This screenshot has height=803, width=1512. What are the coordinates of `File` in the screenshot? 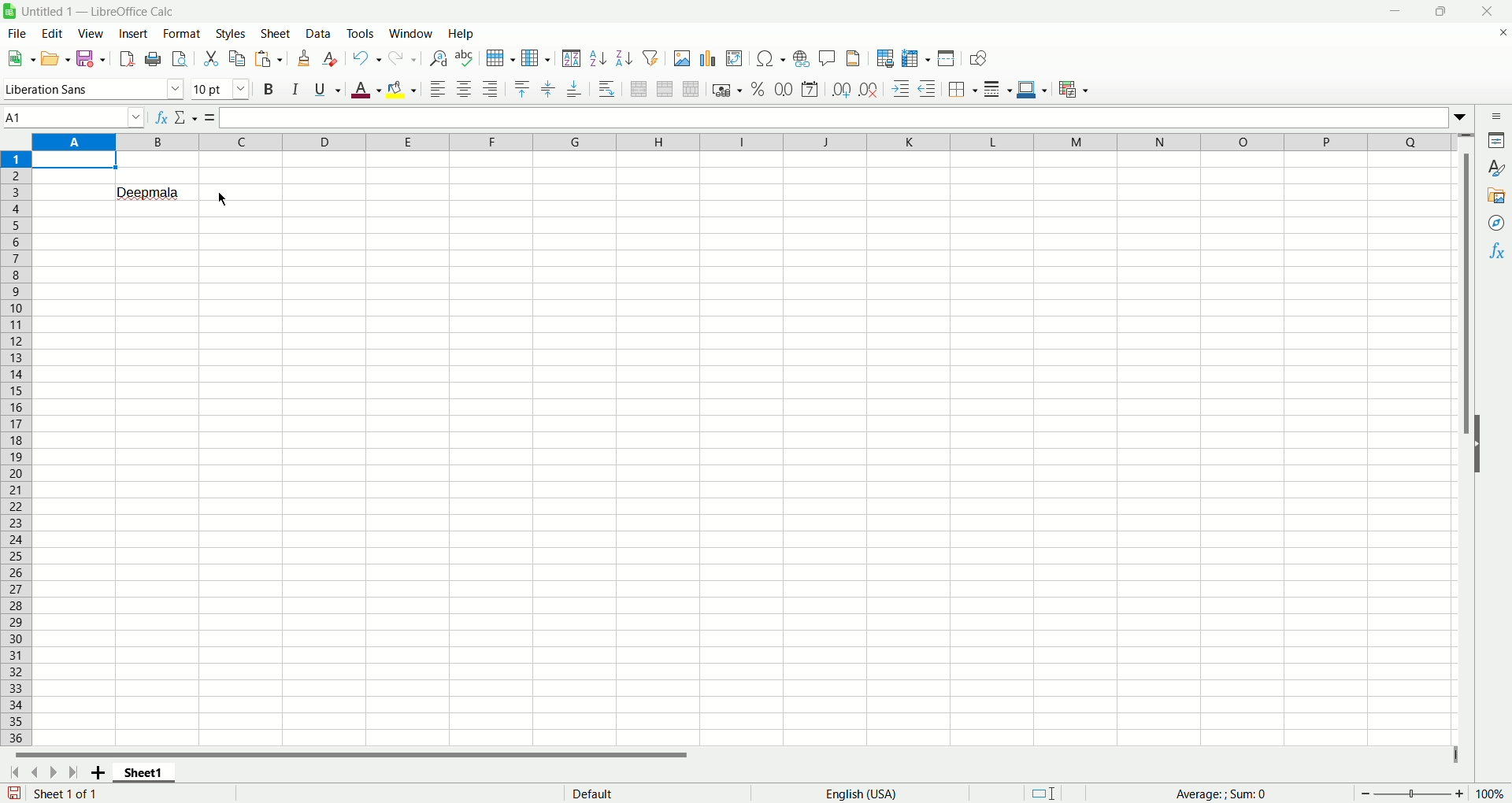 It's located at (17, 33).